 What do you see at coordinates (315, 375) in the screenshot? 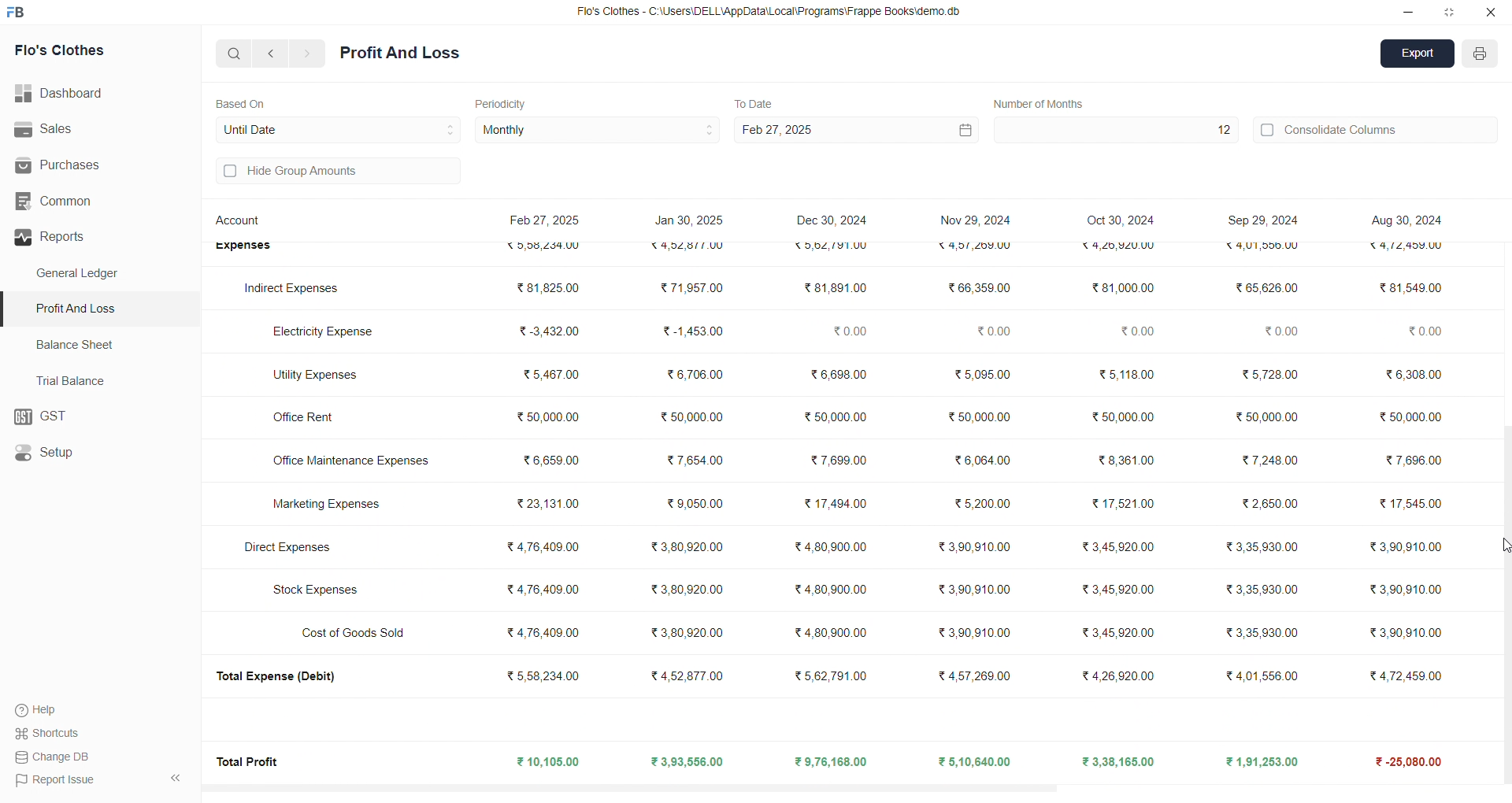
I see `Utility Expenses.` at bounding box center [315, 375].